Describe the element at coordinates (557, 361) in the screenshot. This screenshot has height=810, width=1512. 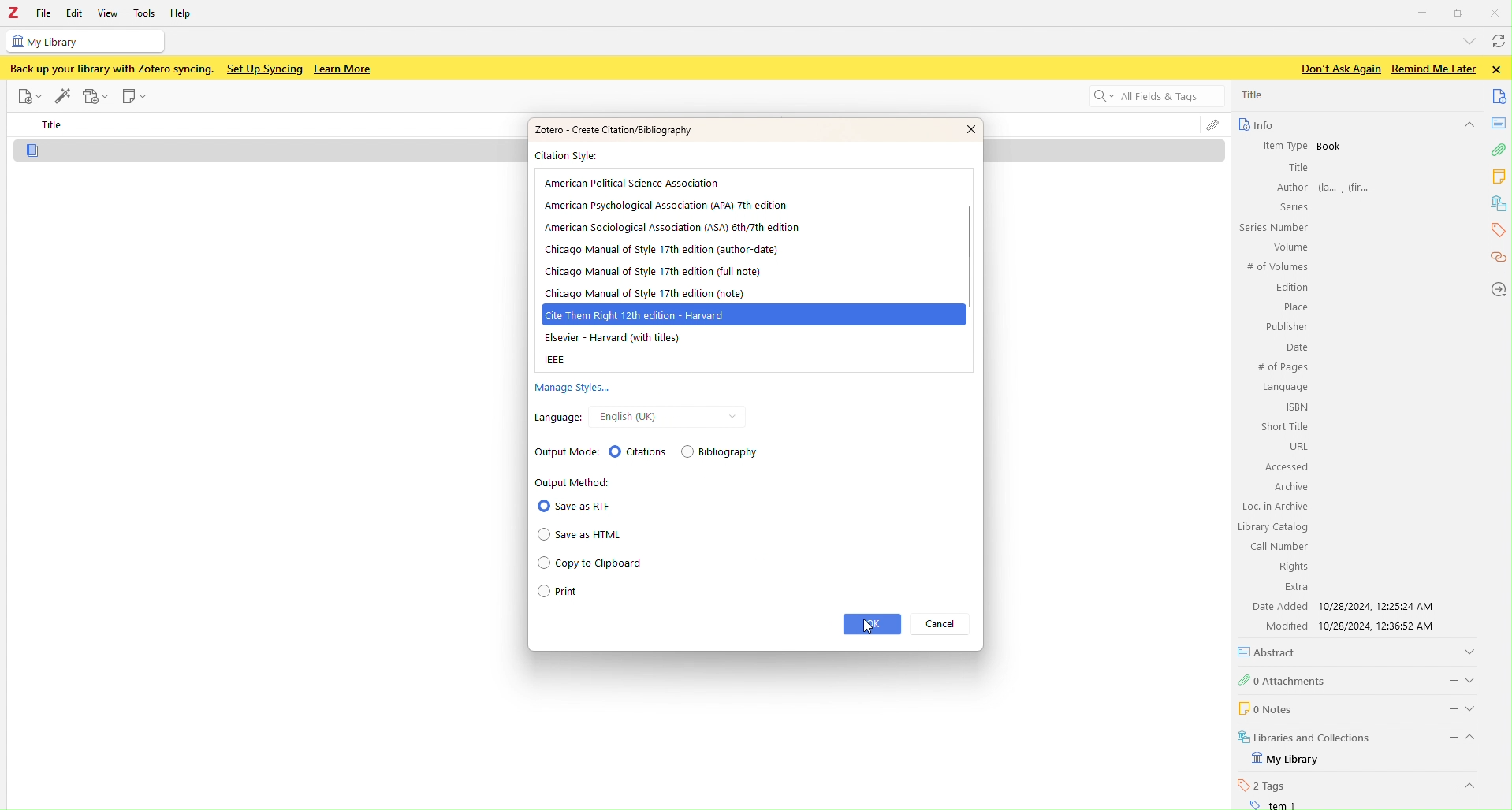
I see `EEE` at that location.